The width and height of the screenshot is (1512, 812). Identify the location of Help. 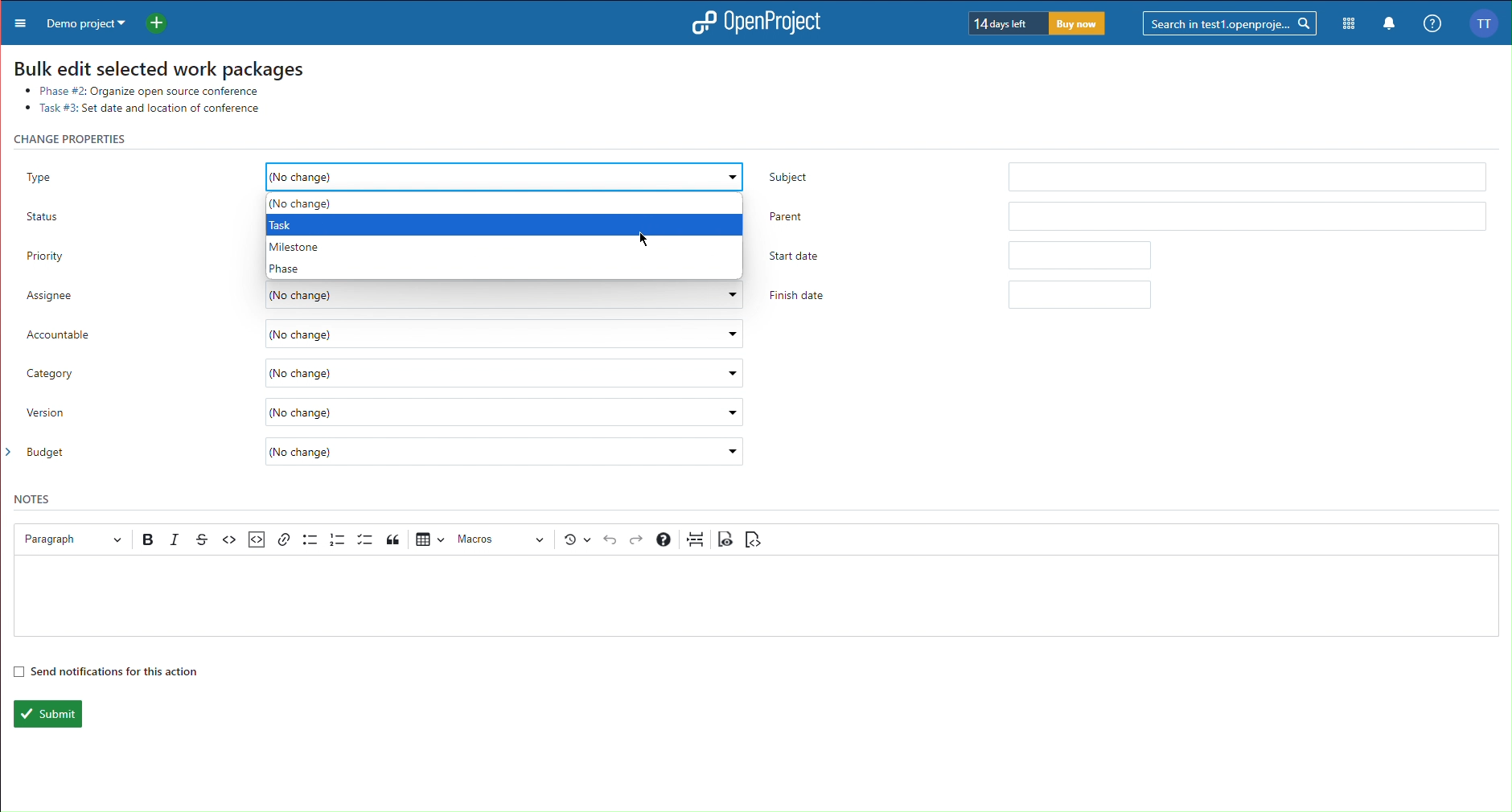
(1431, 24).